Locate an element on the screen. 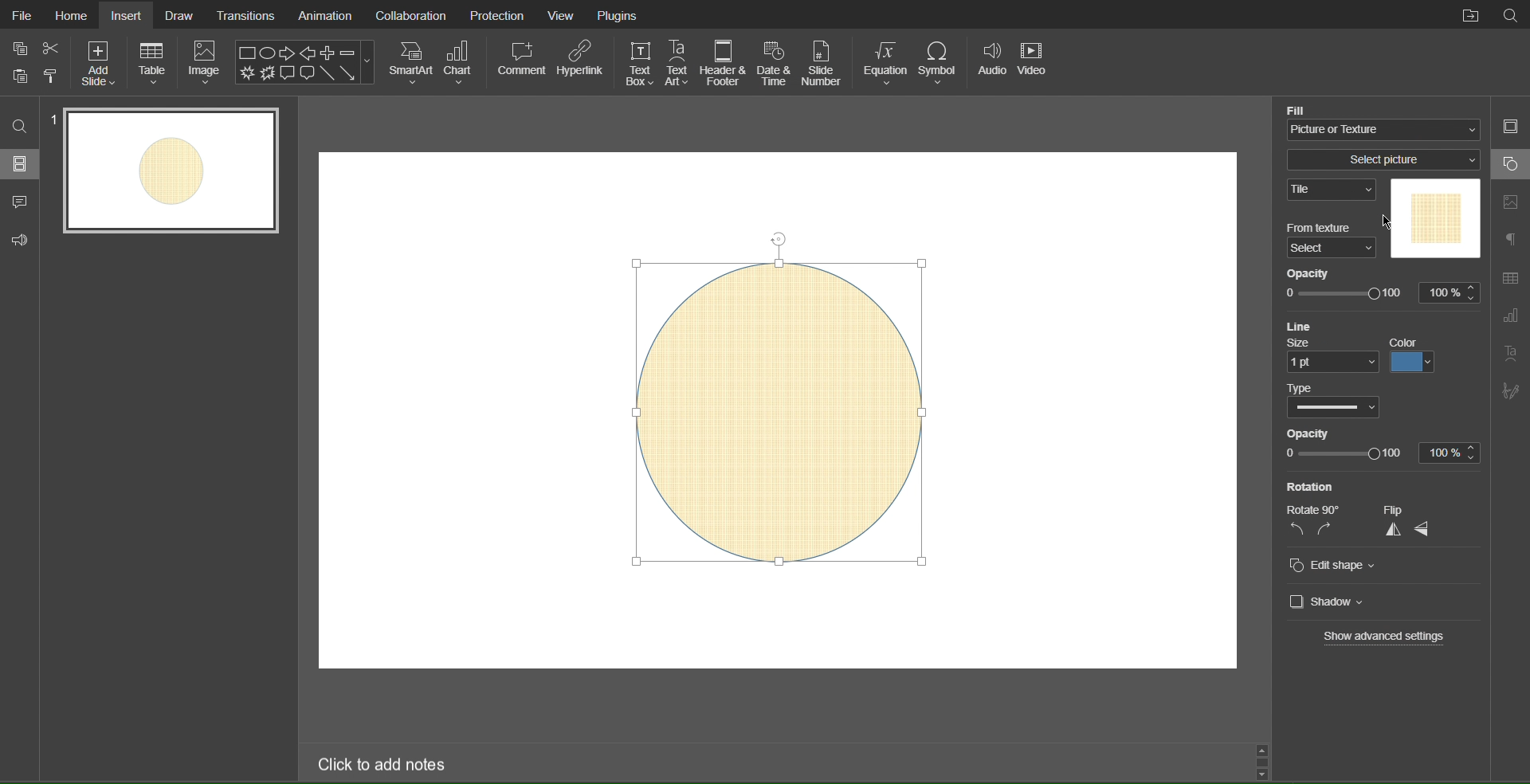 The height and width of the screenshot is (784, 1530). opacity slider is located at coordinates (1346, 292).